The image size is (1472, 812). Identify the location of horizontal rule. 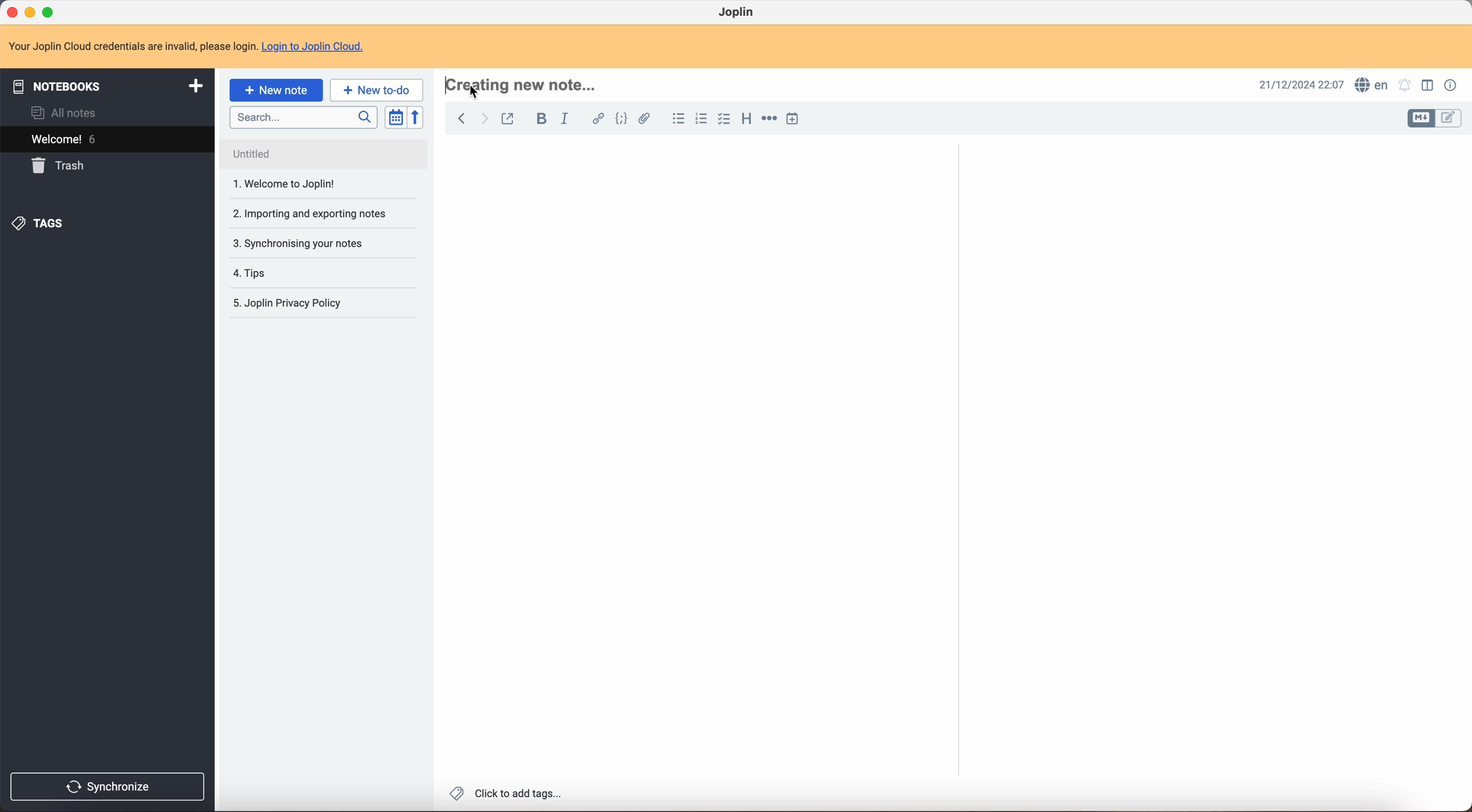
(770, 121).